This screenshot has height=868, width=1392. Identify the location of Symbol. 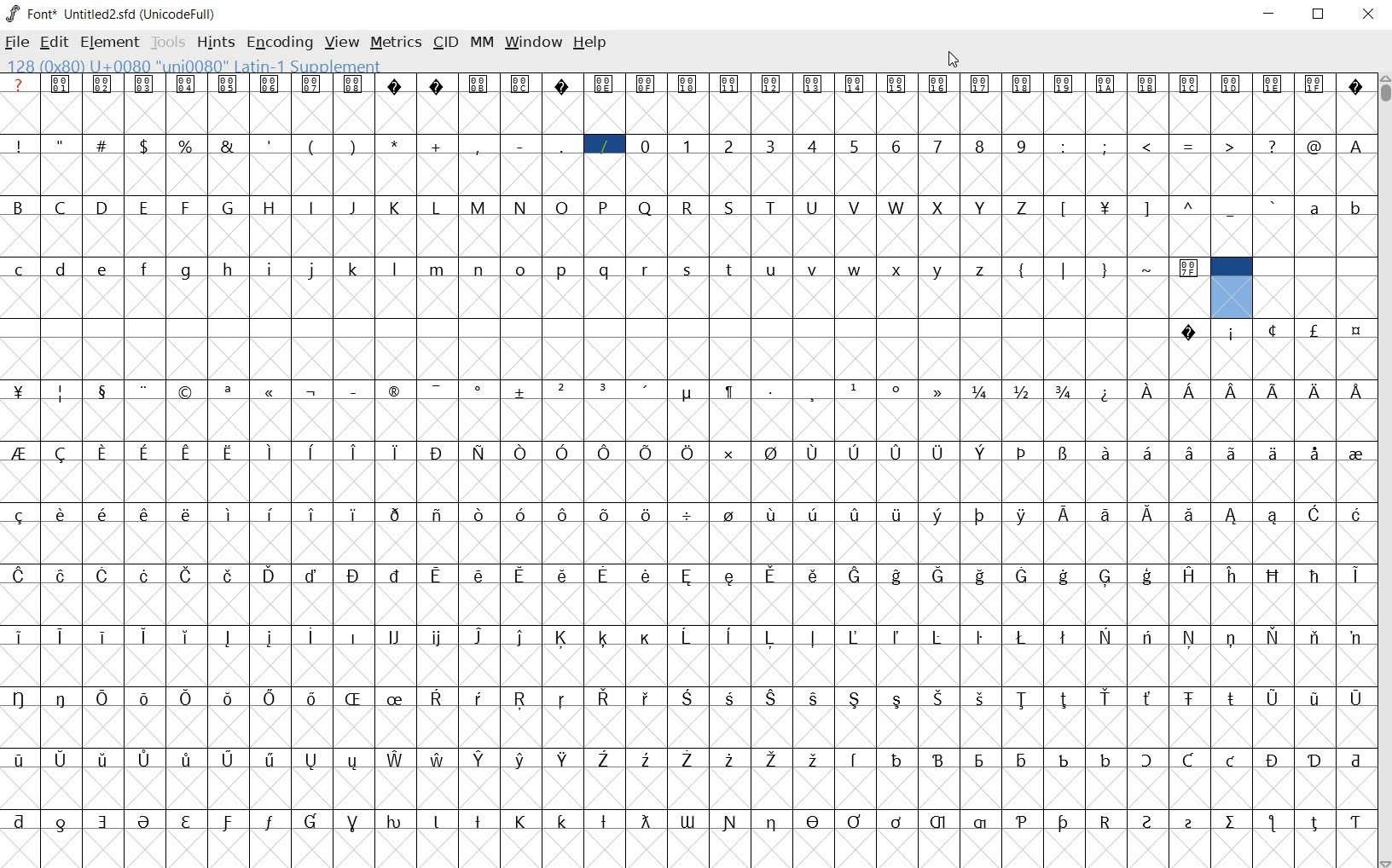
(896, 758).